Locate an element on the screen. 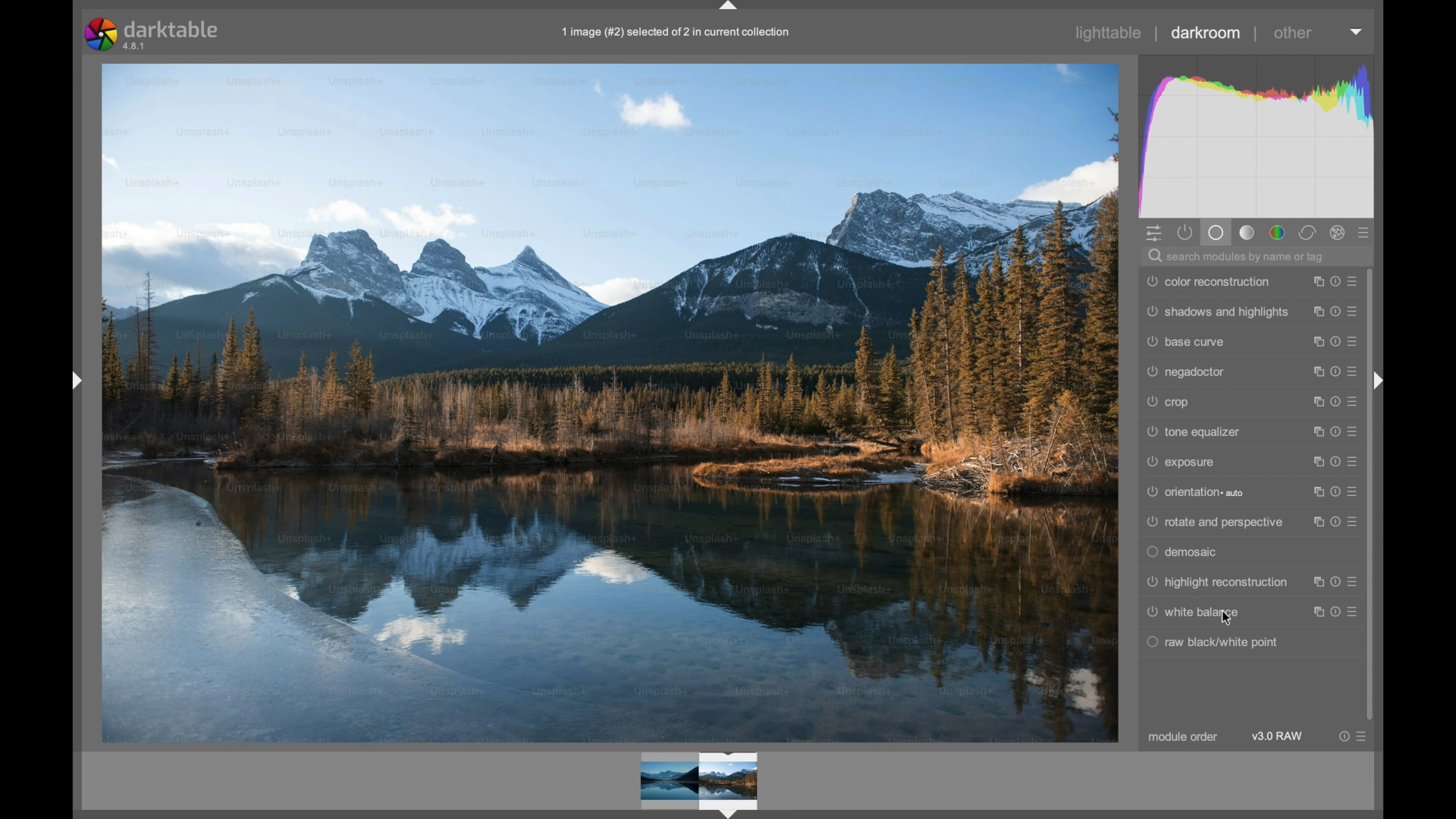 The height and width of the screenshot is (819, 1456). instance is located at coordinates (1316, 611).